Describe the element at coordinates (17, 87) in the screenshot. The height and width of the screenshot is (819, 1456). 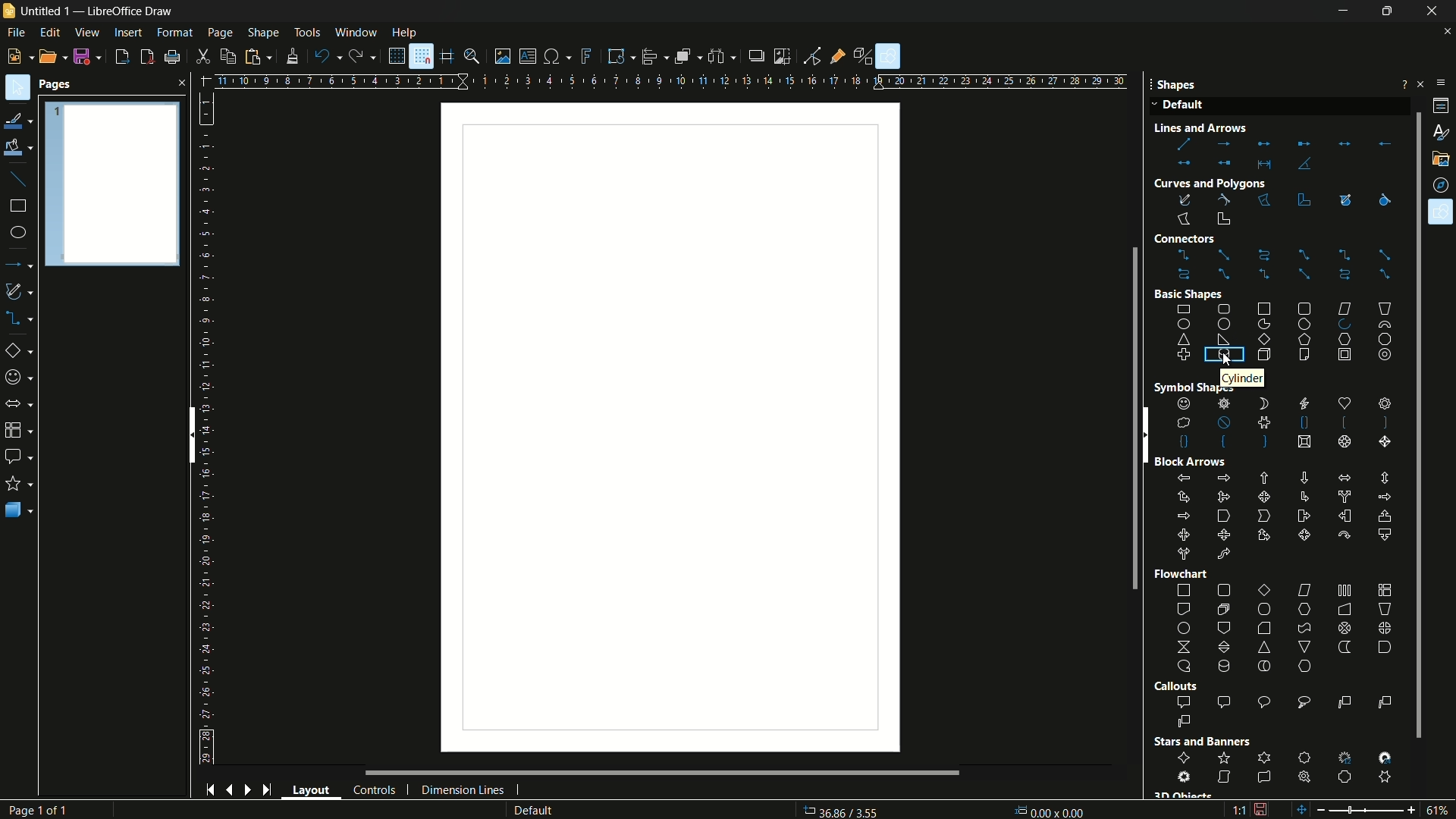
I see `select` at that location.